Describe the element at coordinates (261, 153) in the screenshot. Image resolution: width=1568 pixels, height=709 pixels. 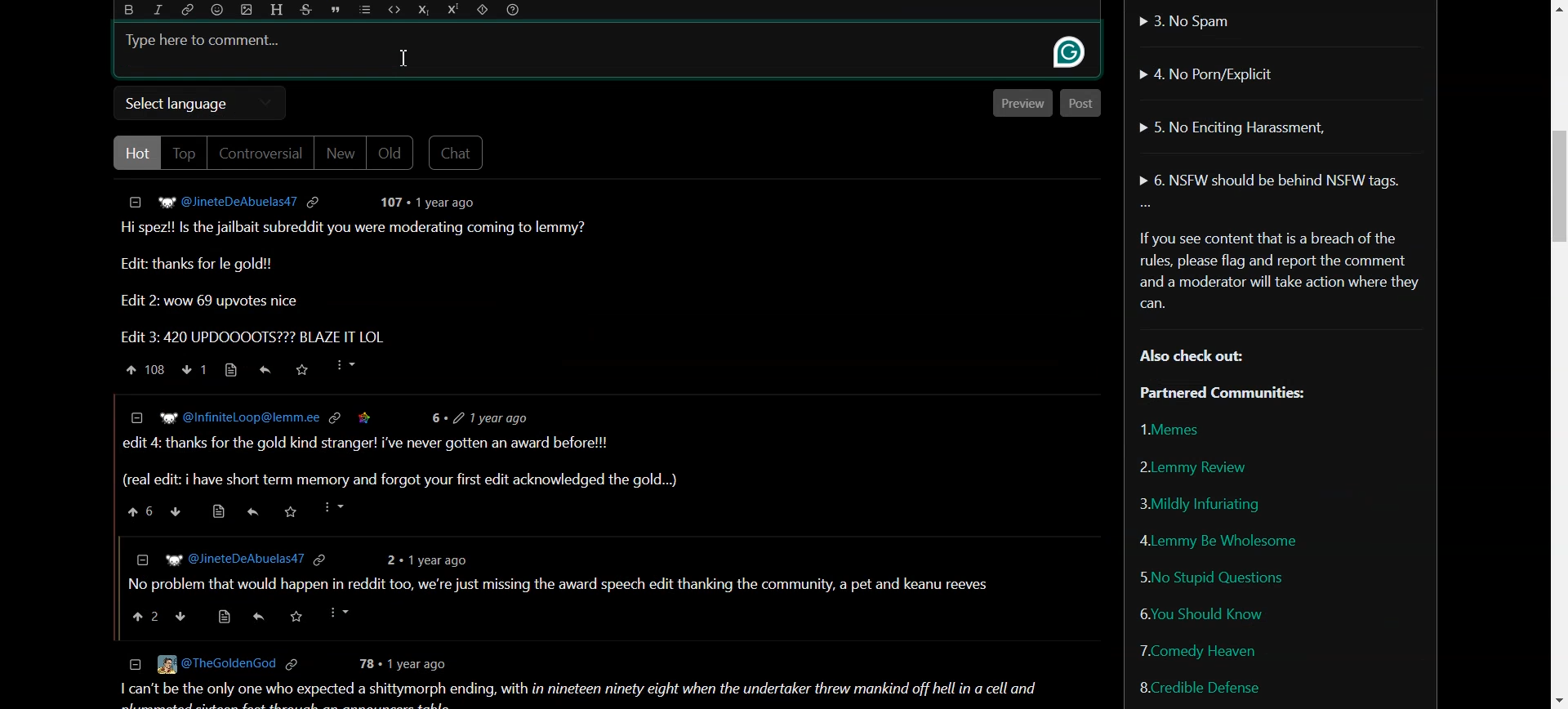
I see `Controversial` at that location.